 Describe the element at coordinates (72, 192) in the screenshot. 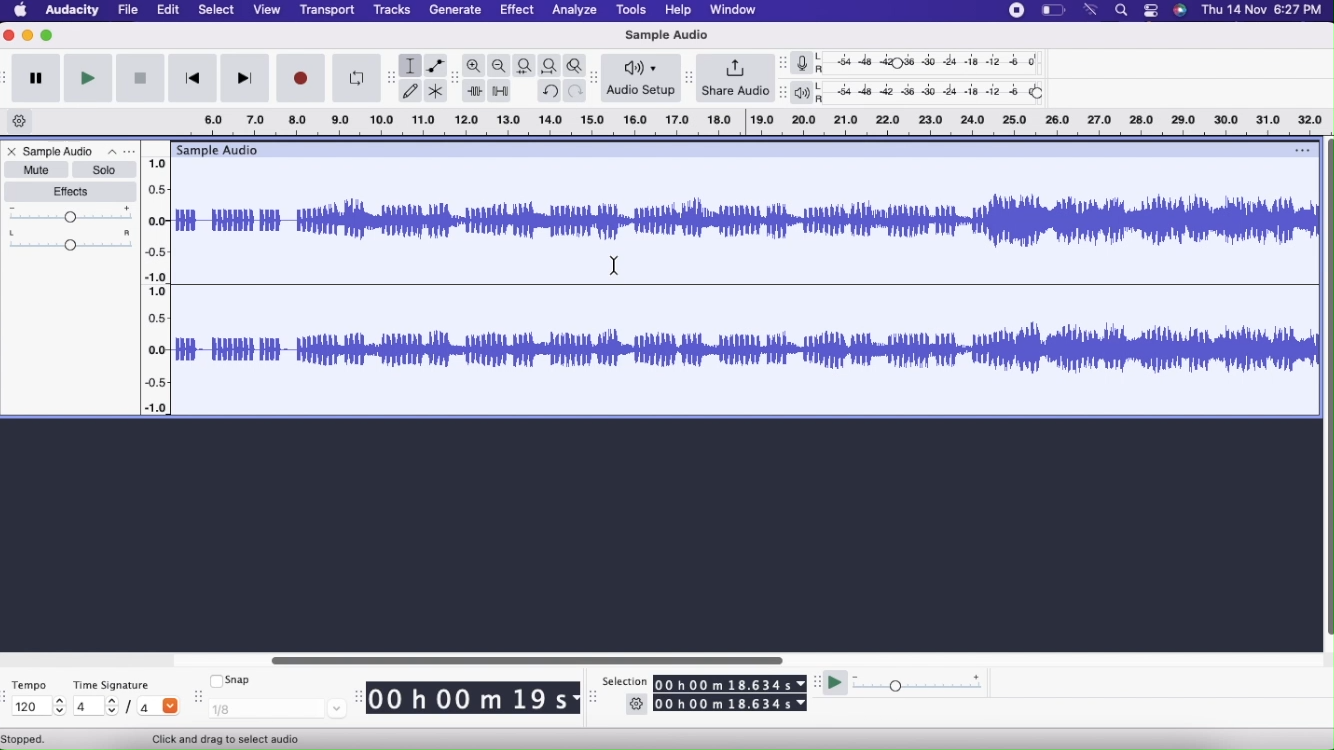

I see `Effects` at that location.